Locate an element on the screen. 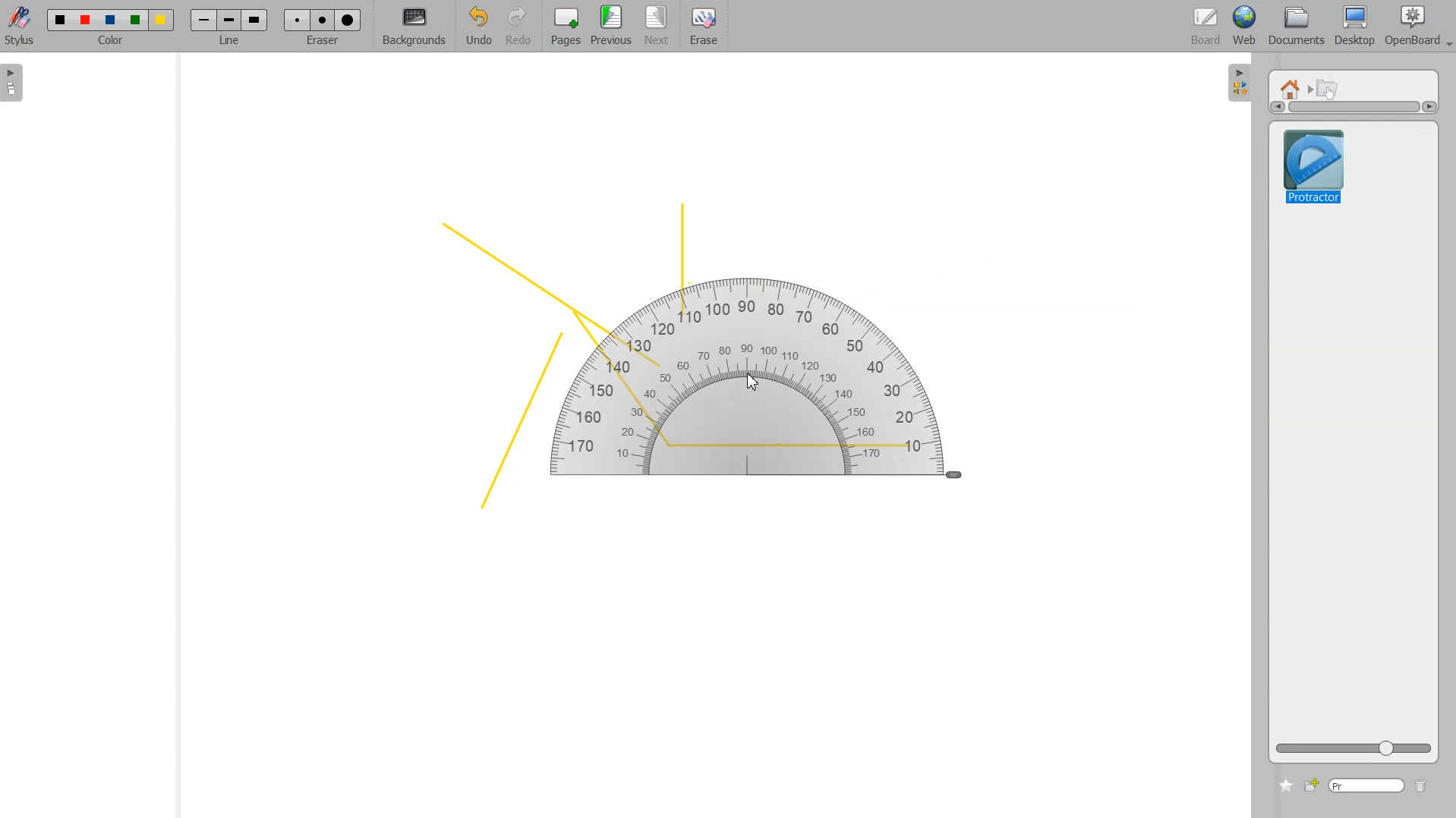  Color is located at coordinates (111, 20).